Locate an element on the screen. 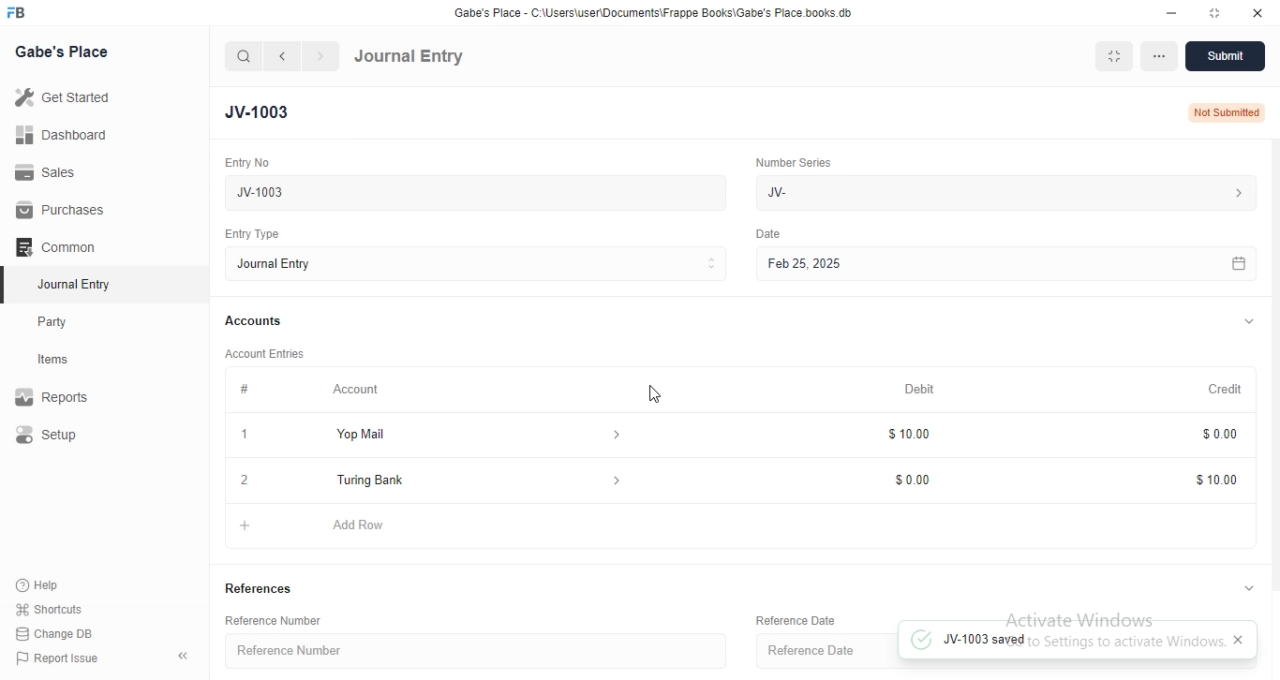  JV-1003 is located at coordinates (470, 192).